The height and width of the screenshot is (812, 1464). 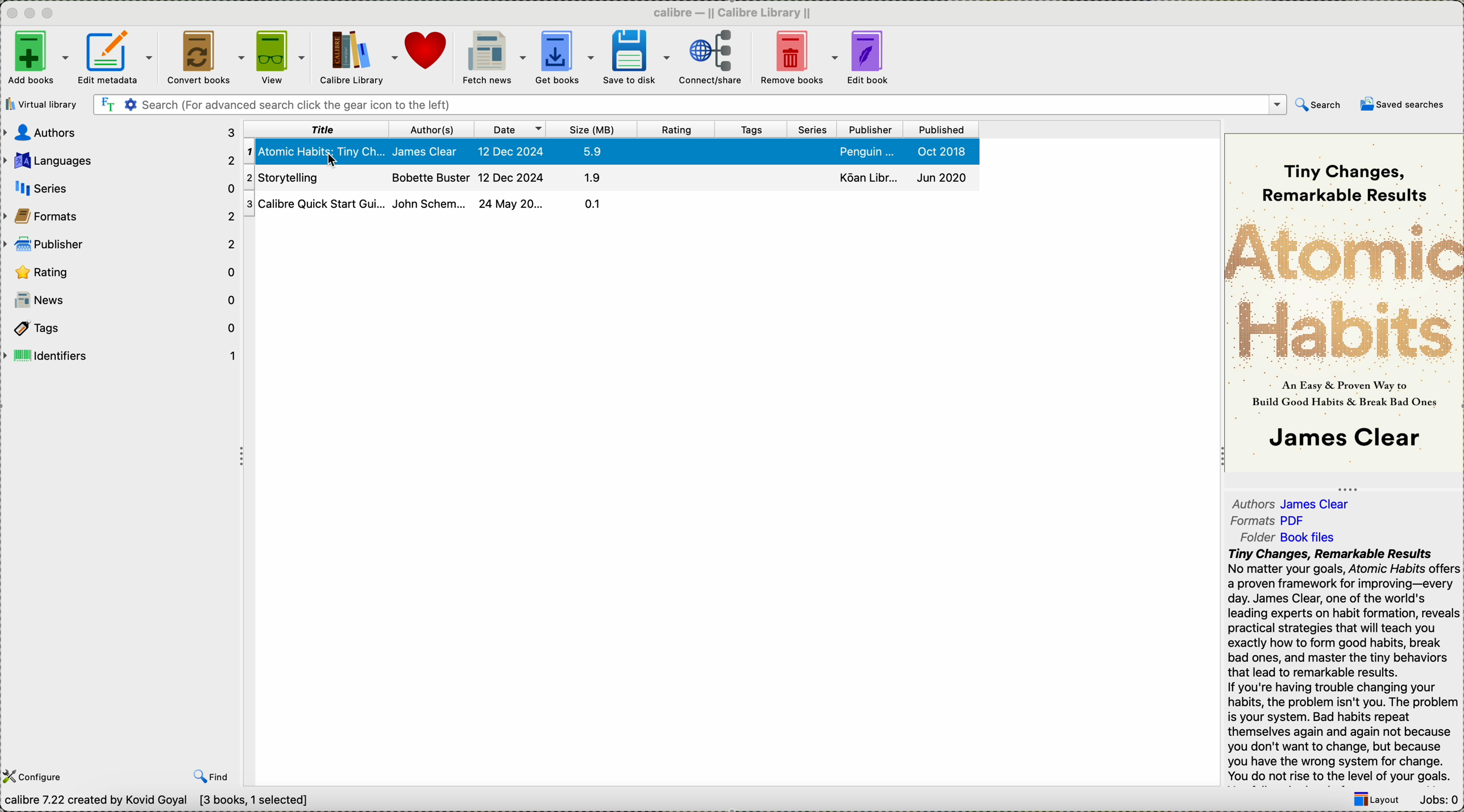 What do you see at coordinates (1271, 521) in the screenshot?
I see `formats` at bounding box center [1271, 521].